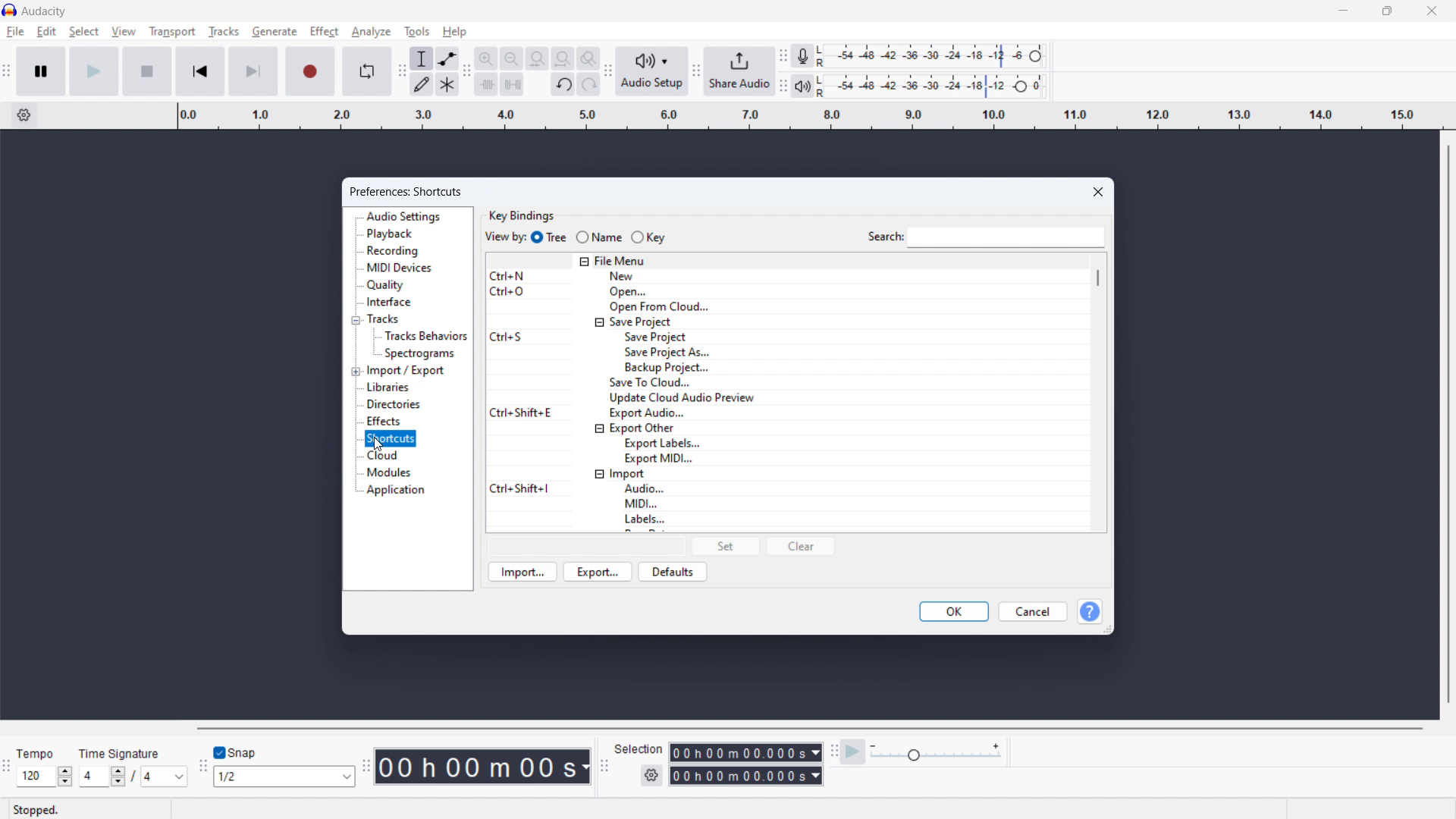 Image resolution: width=1456 pixels, height=819 pixels. Describe the element at coordinates (783, 55) in the screenshot. I see `Enables movement of recording meter toolbar` at that location.